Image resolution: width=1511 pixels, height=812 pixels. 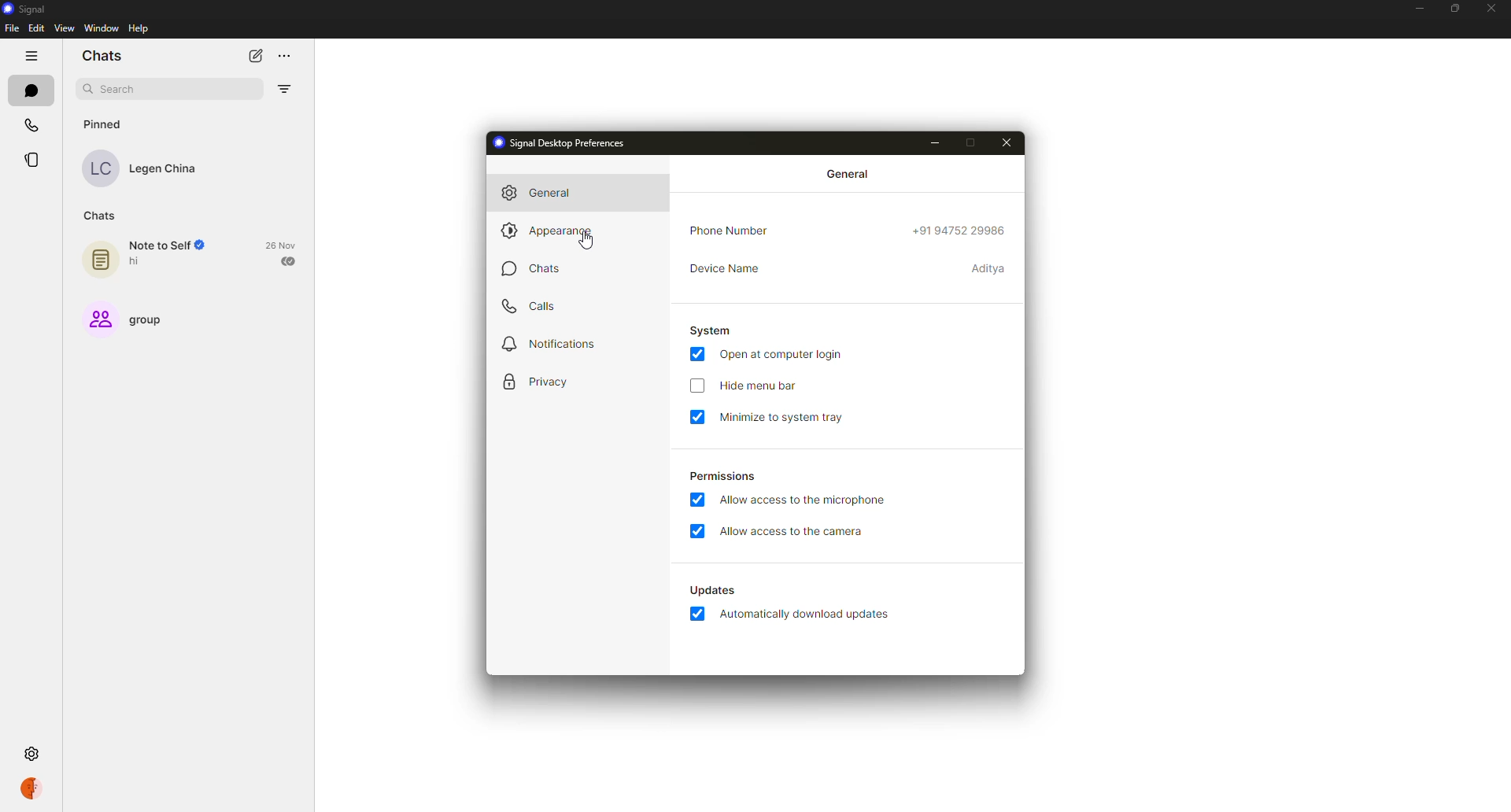 What do you see at coordinates (34, 160) in the screenshot?
I see `stories` at bounding box center [34, 160].